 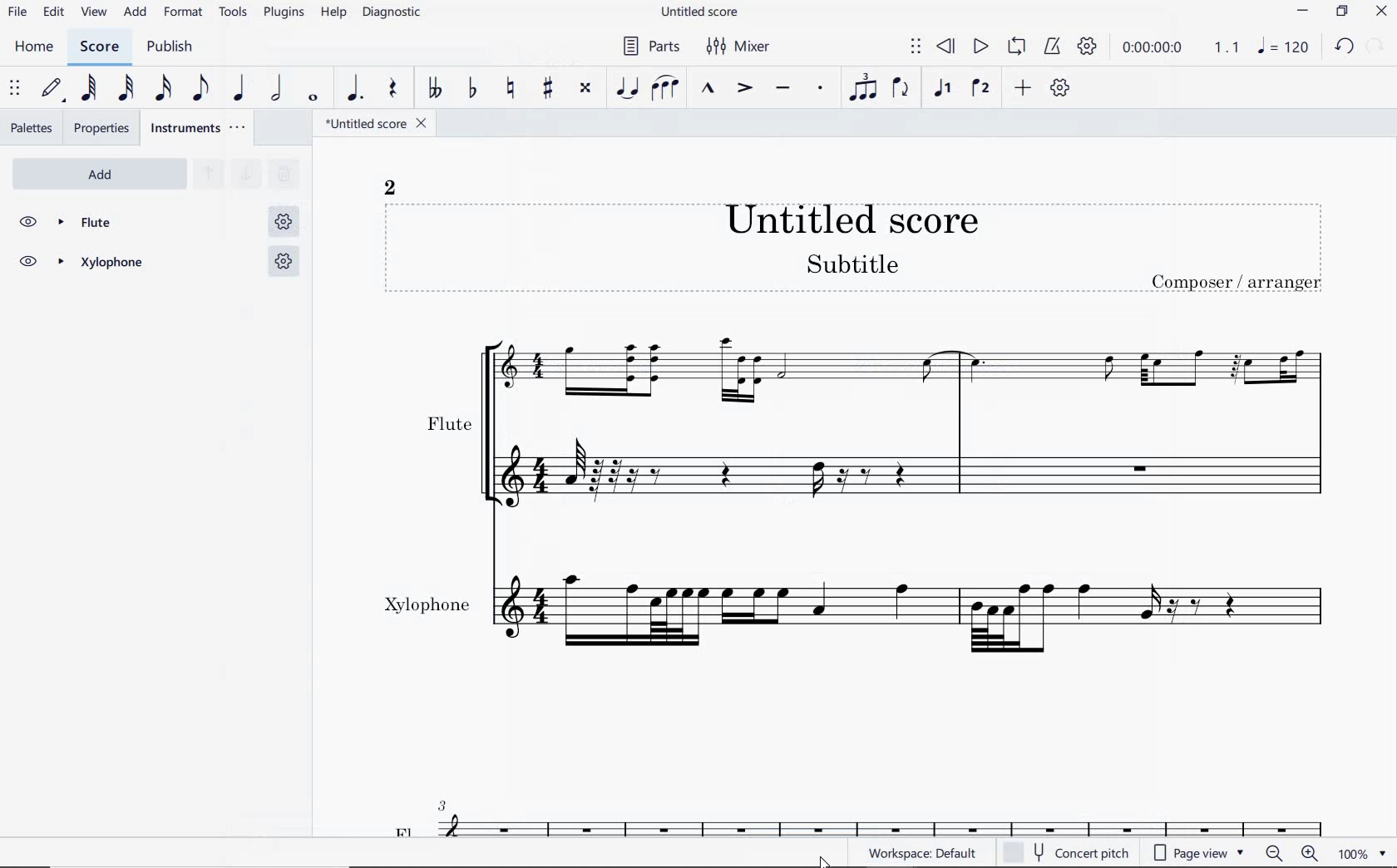 I want to click on SELECT TO MOVE, so click(x=916, y=47).